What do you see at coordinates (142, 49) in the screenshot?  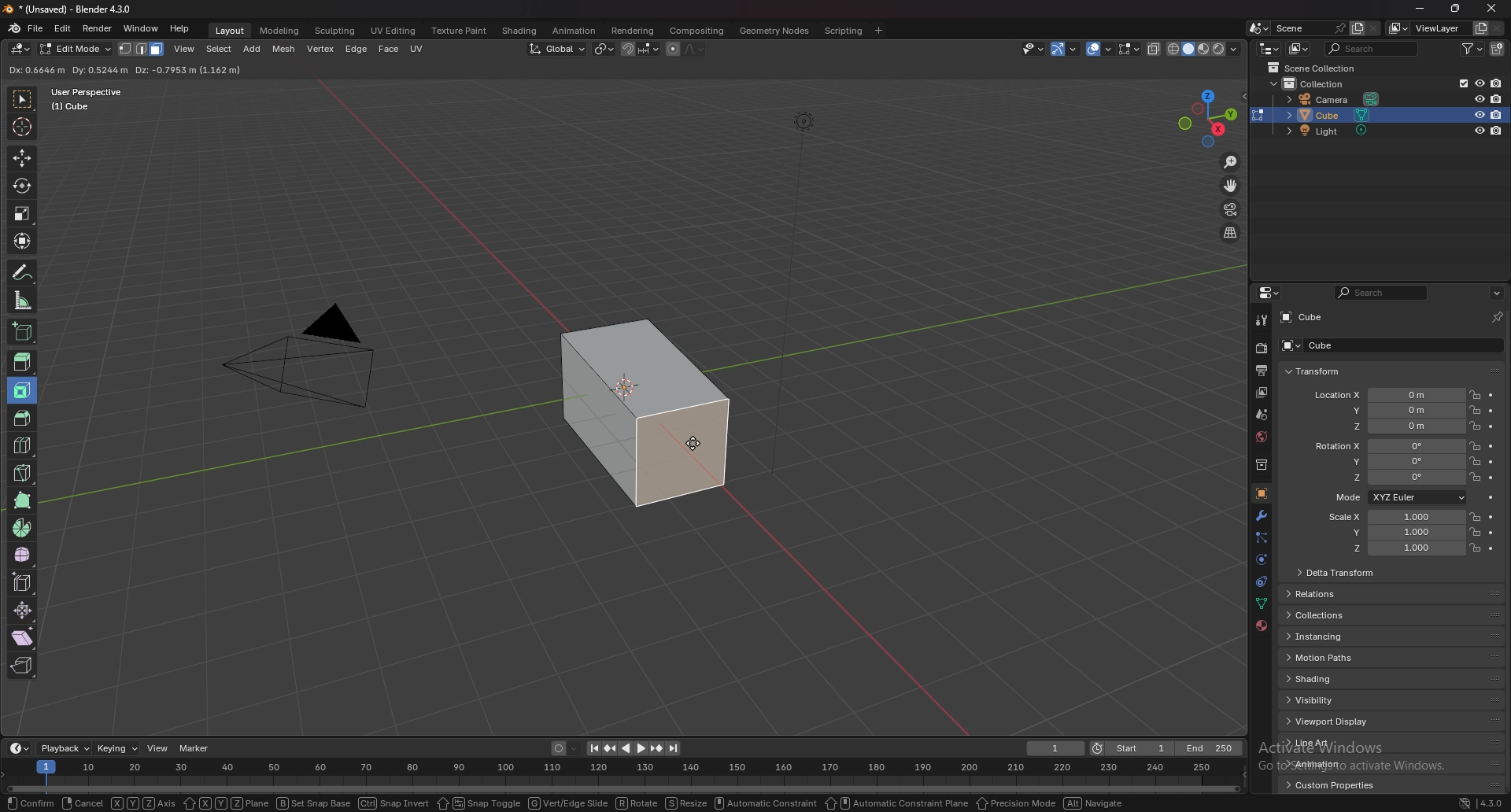 I see `select mode` at bounding box center [142, 49].